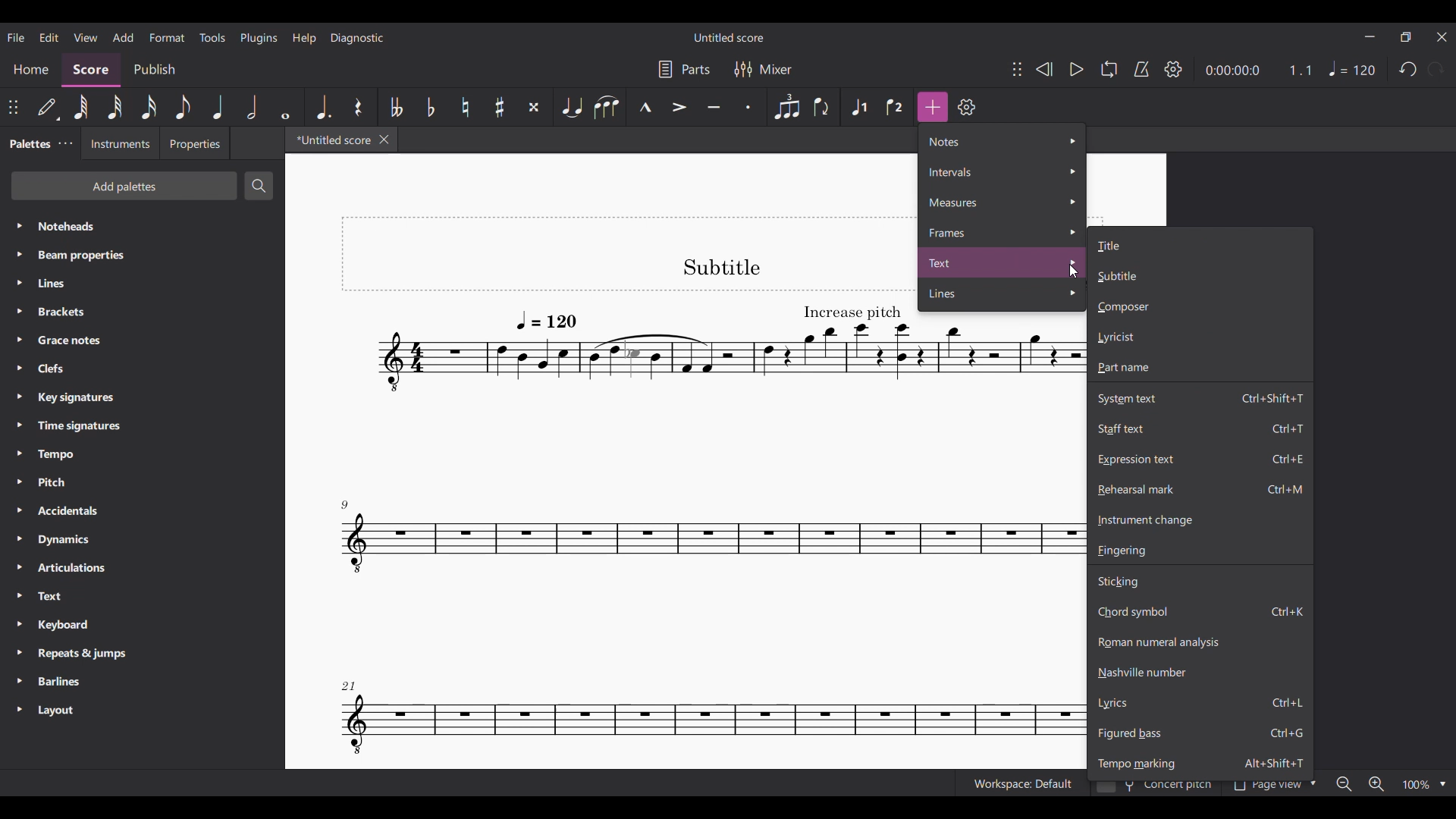 The width and height of the screenshot is (1456, 819). I want to click on File menu, so click(17, 38).